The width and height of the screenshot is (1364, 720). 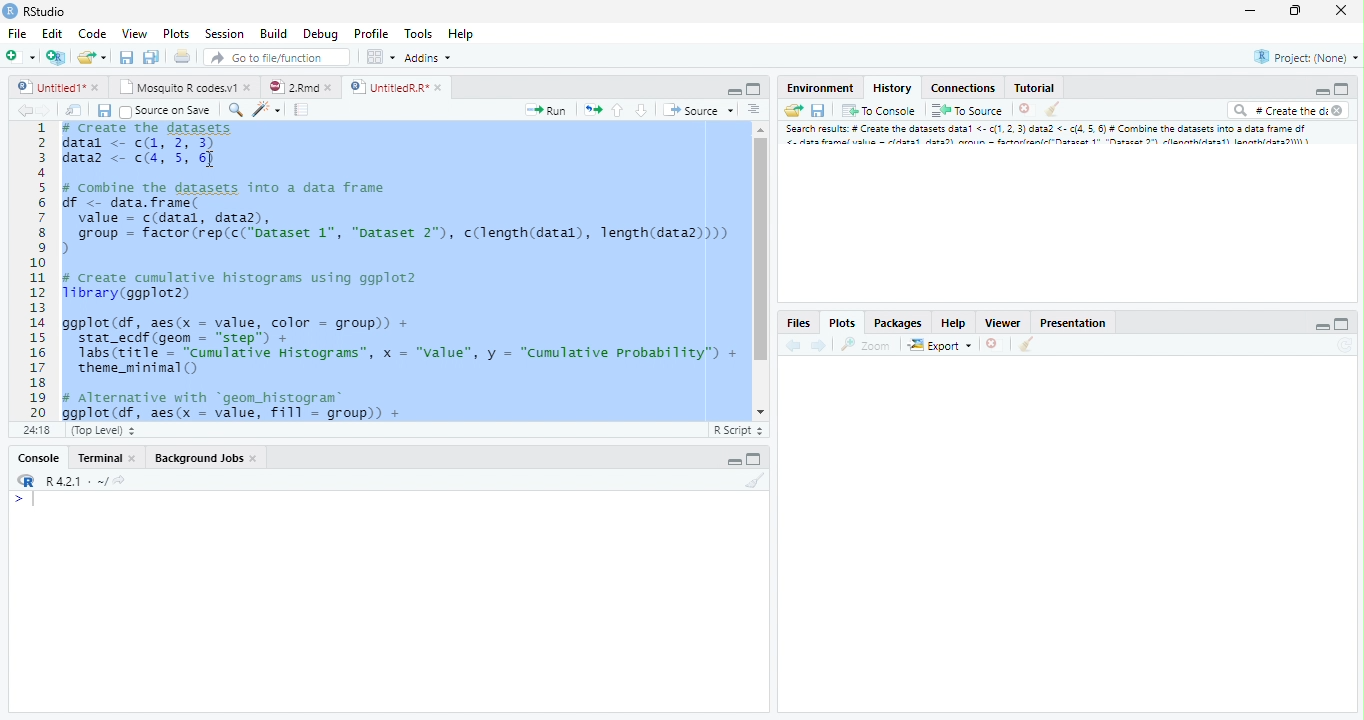 What do you see at coordinates (992, 342) in the screenshot?
I see `Delete ` at bounding box center [992, 342].